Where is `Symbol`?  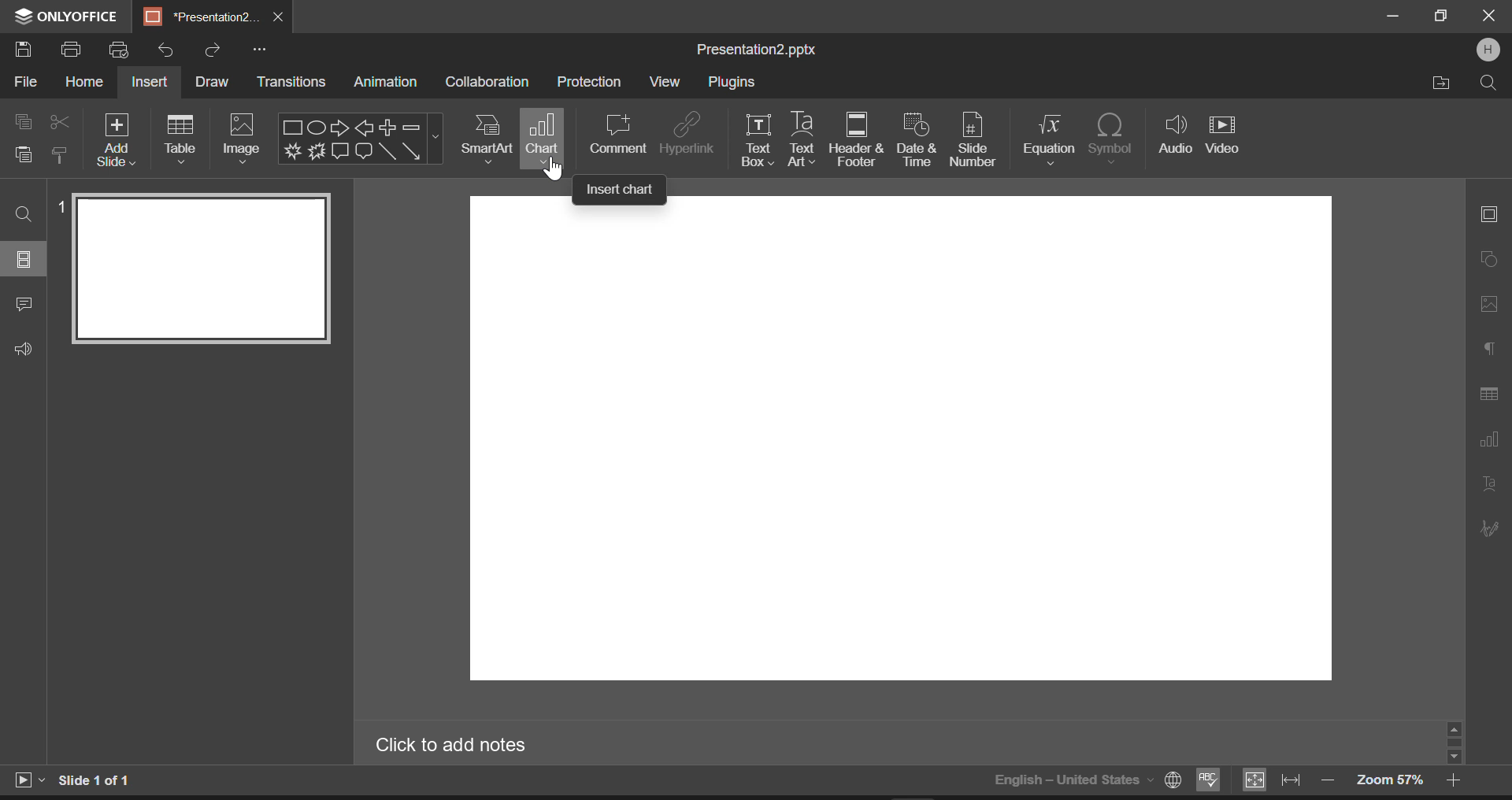 Symbol is located at coordinates (1111, 139).